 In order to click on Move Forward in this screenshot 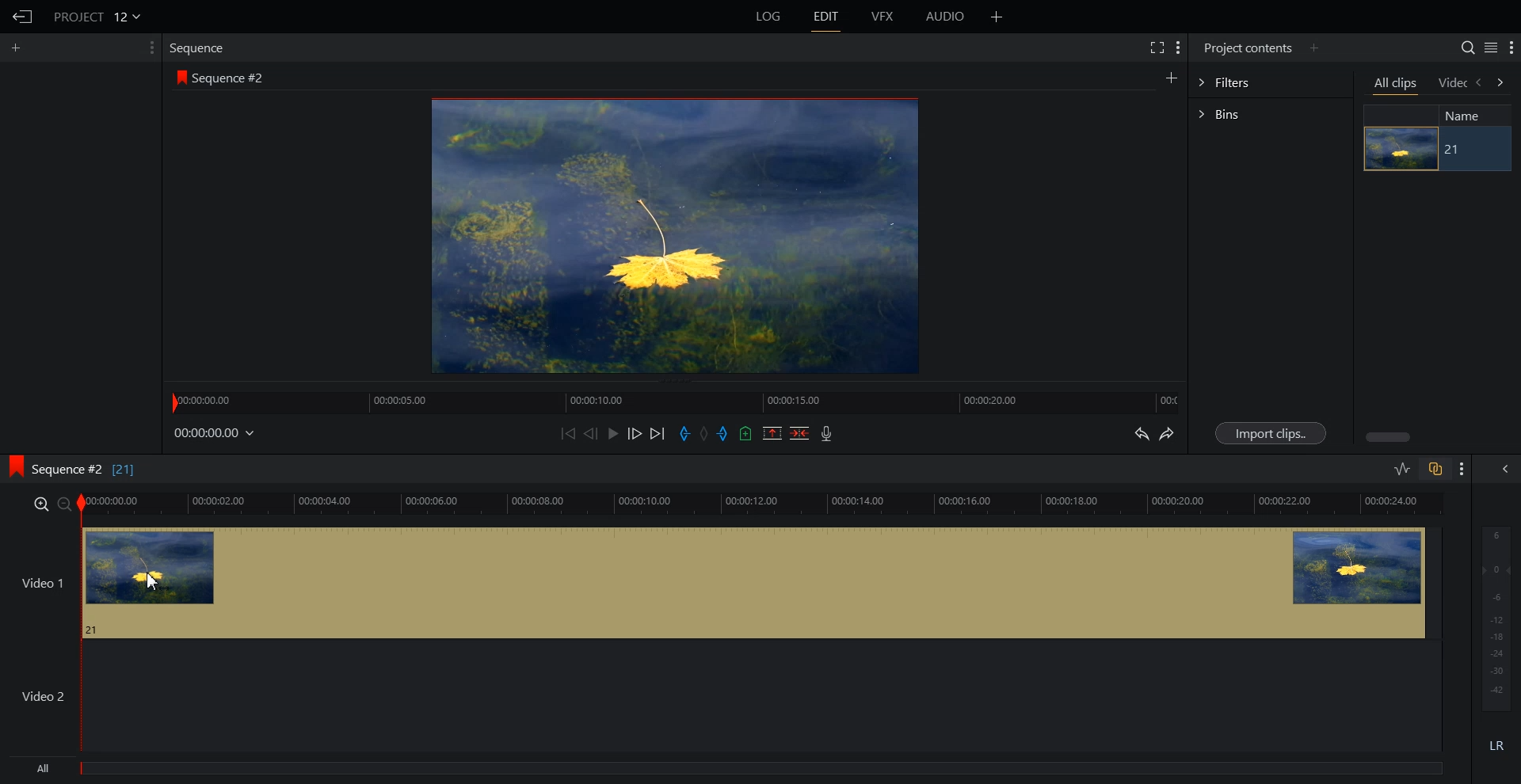, I will do `click(658, 433)`.